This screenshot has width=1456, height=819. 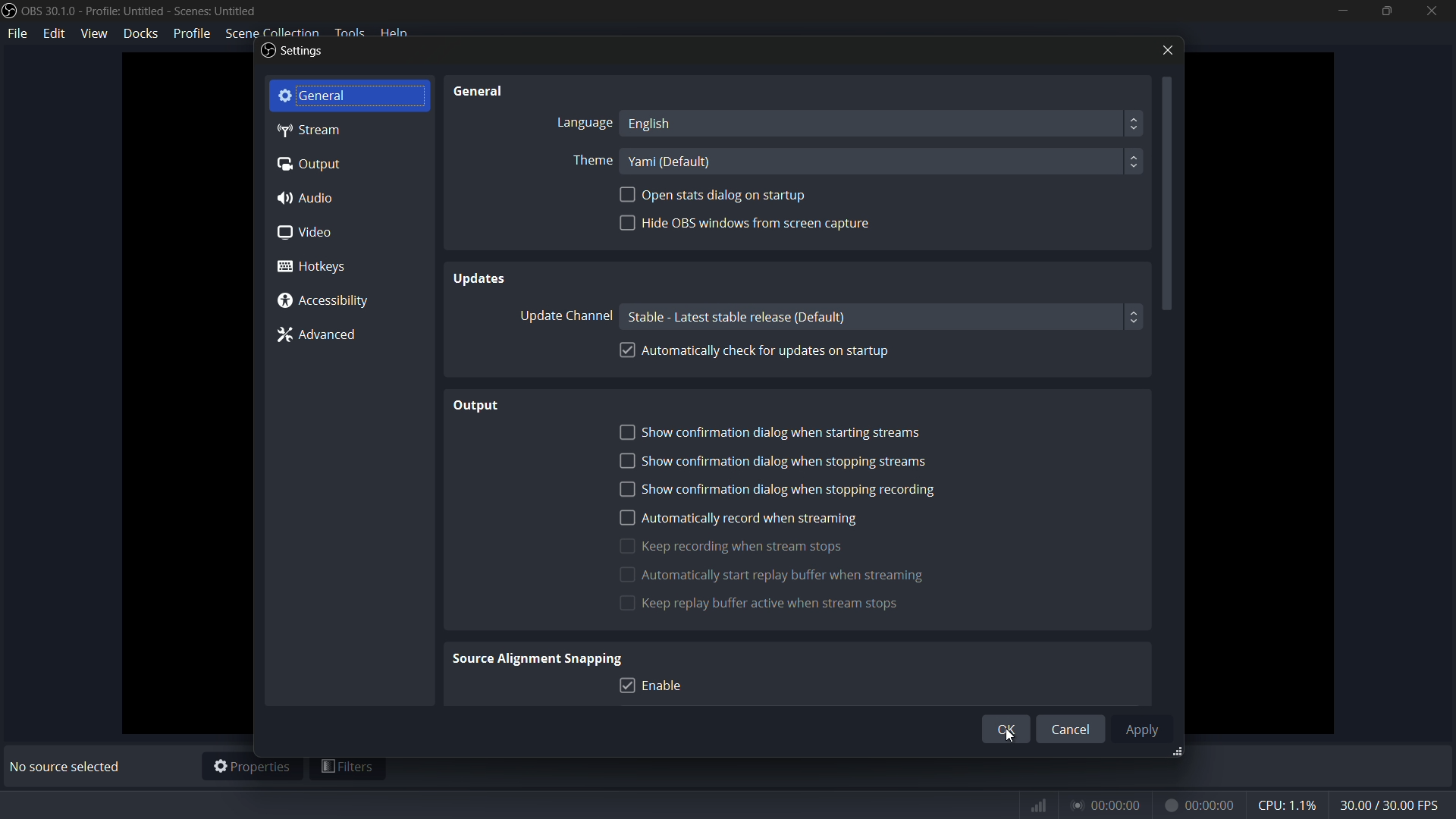 What do you see at coordinates (314, 165) in the screenshot?
I see `Output` at bounding box center [314, 165].